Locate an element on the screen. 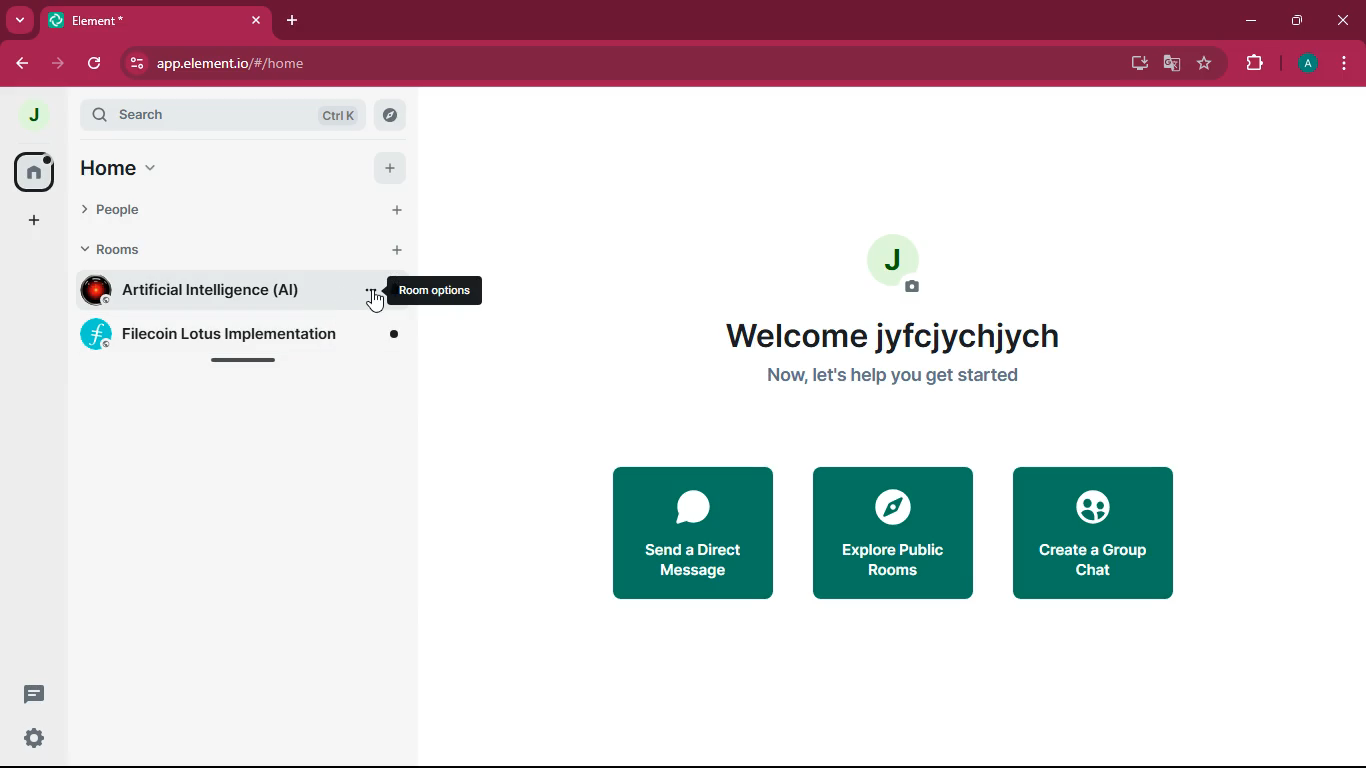 Image resolution: width=1366 pixels, height=768 pixels. maximize is located at coordinates (1298, 24).